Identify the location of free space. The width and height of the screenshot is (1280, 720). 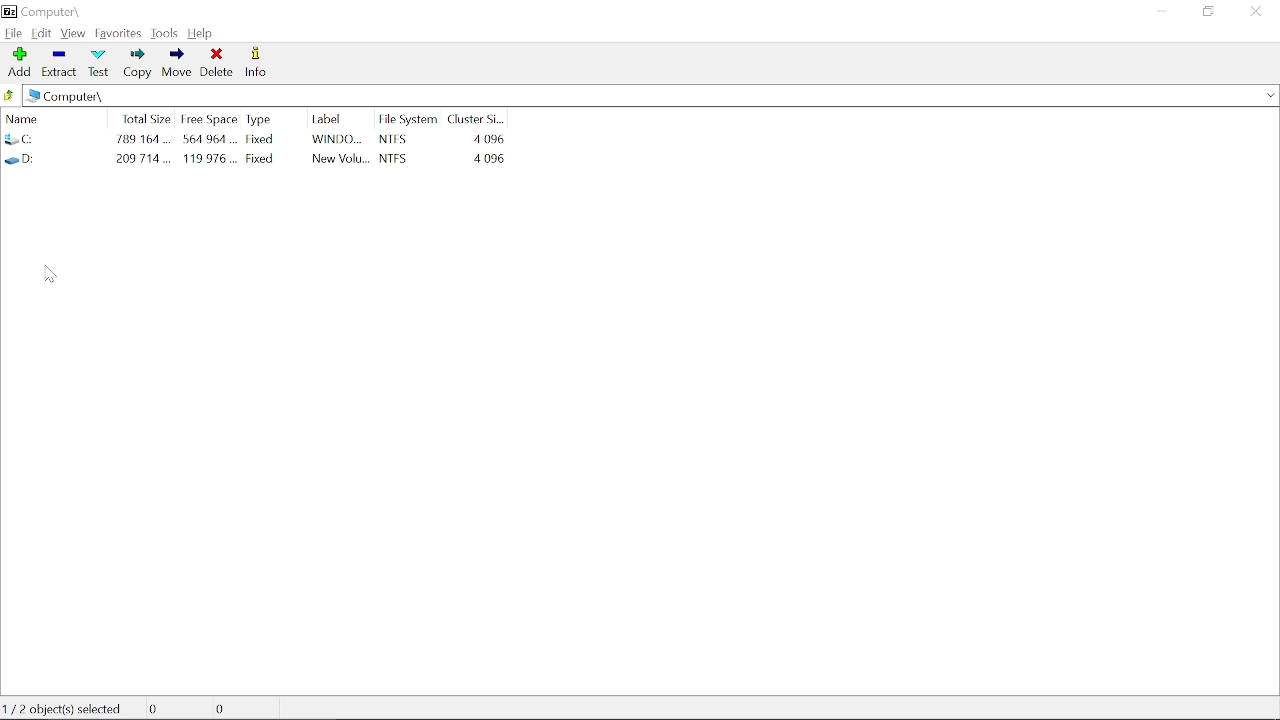
(207, 118).